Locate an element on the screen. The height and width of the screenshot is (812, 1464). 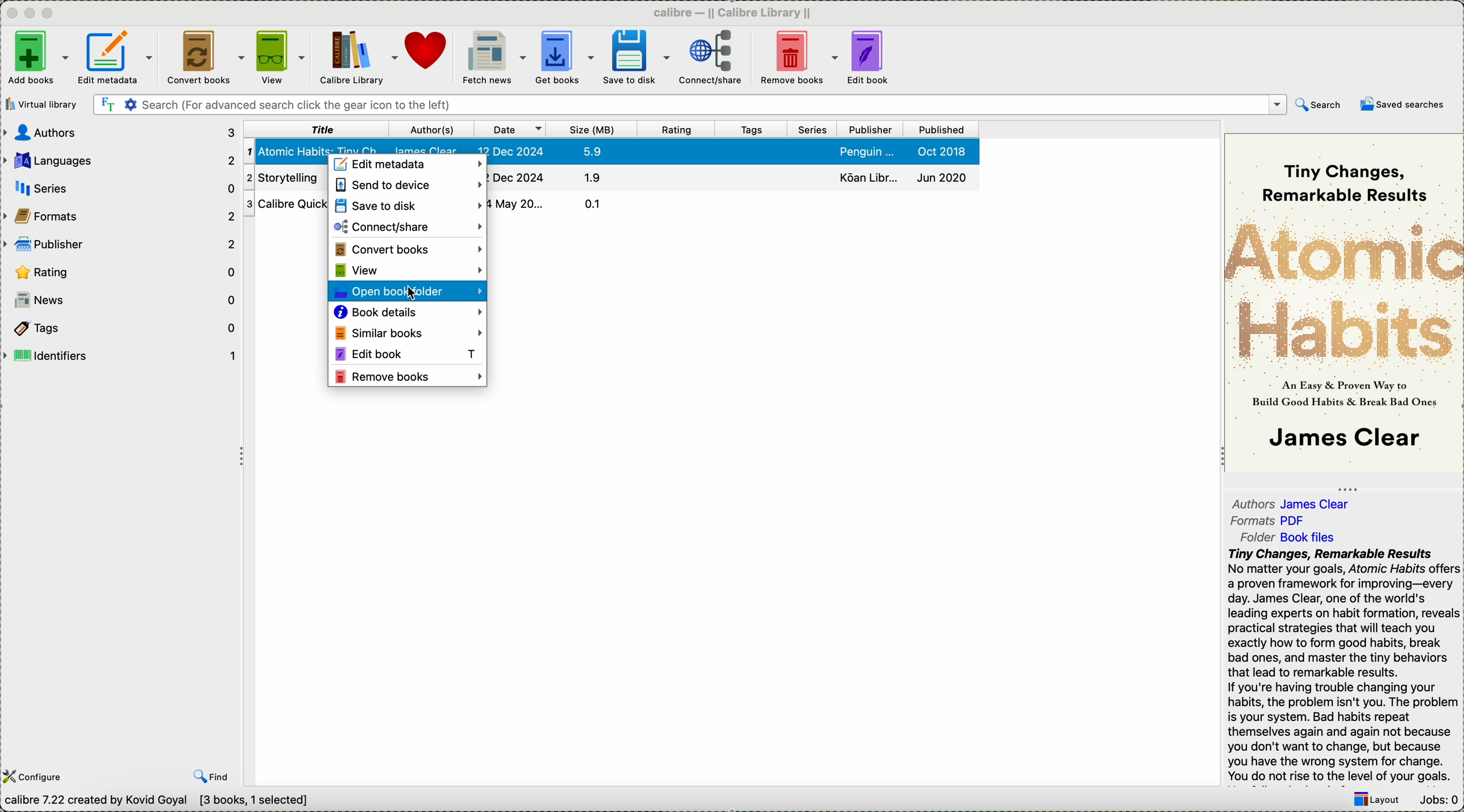
saved searches is located at coordinates (1403, 104).